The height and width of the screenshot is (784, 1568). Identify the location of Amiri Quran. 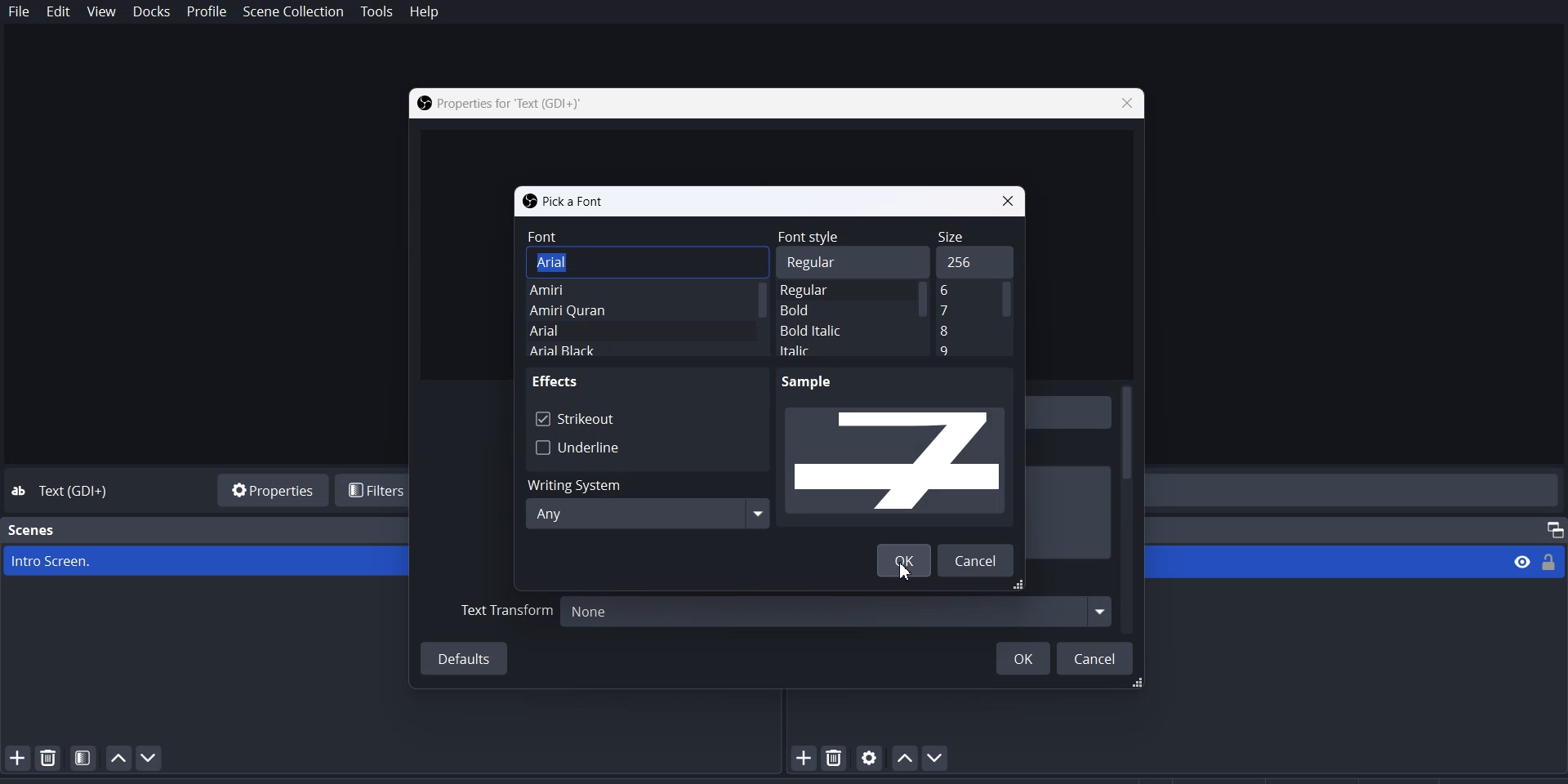
(607, 311).